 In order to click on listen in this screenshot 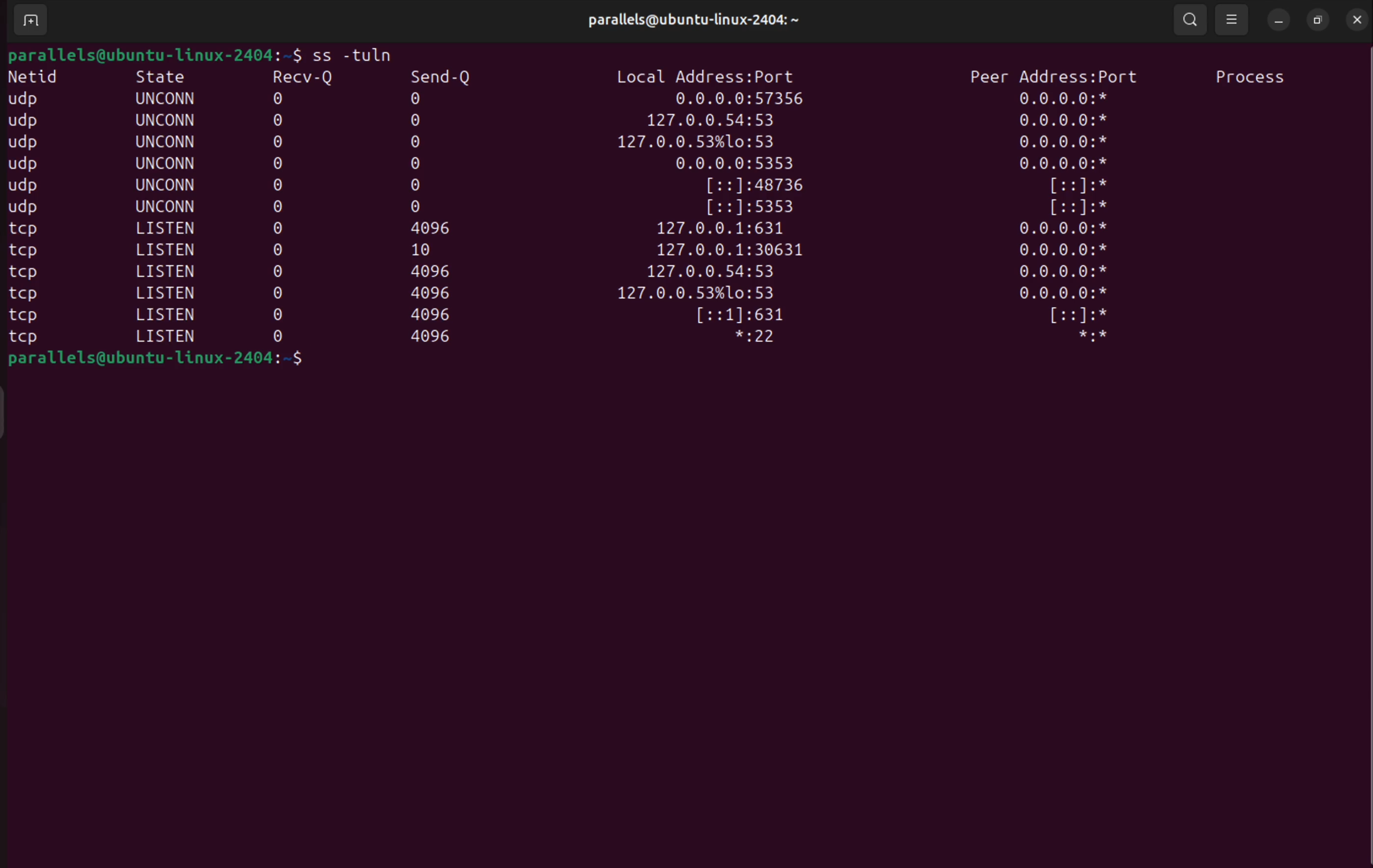, I will do `click(168, 271)`.